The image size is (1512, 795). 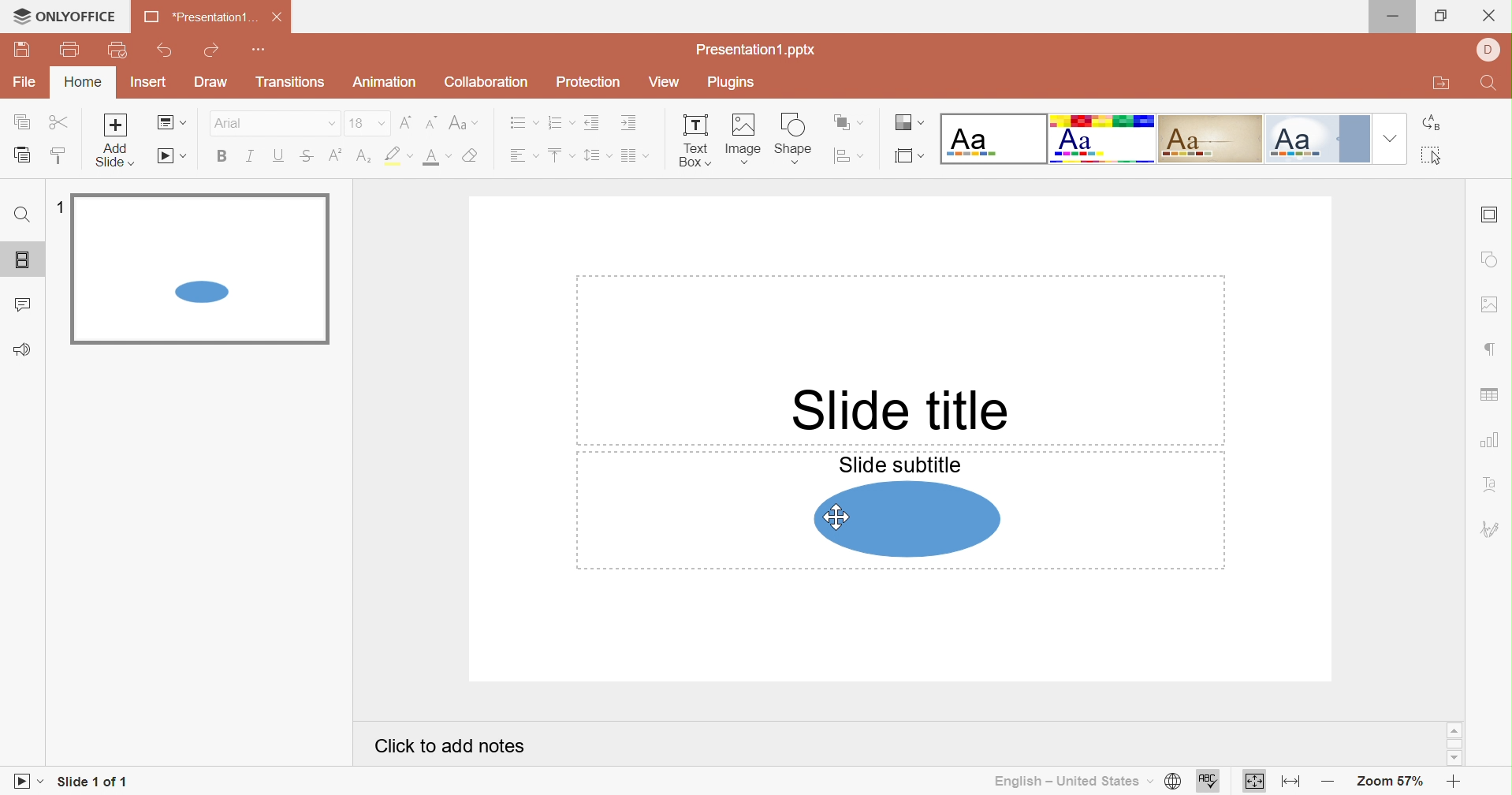 What do you see at coordinates (992, 138) in the screenshot?
I see `Blank` at bounding box center [992, 138].